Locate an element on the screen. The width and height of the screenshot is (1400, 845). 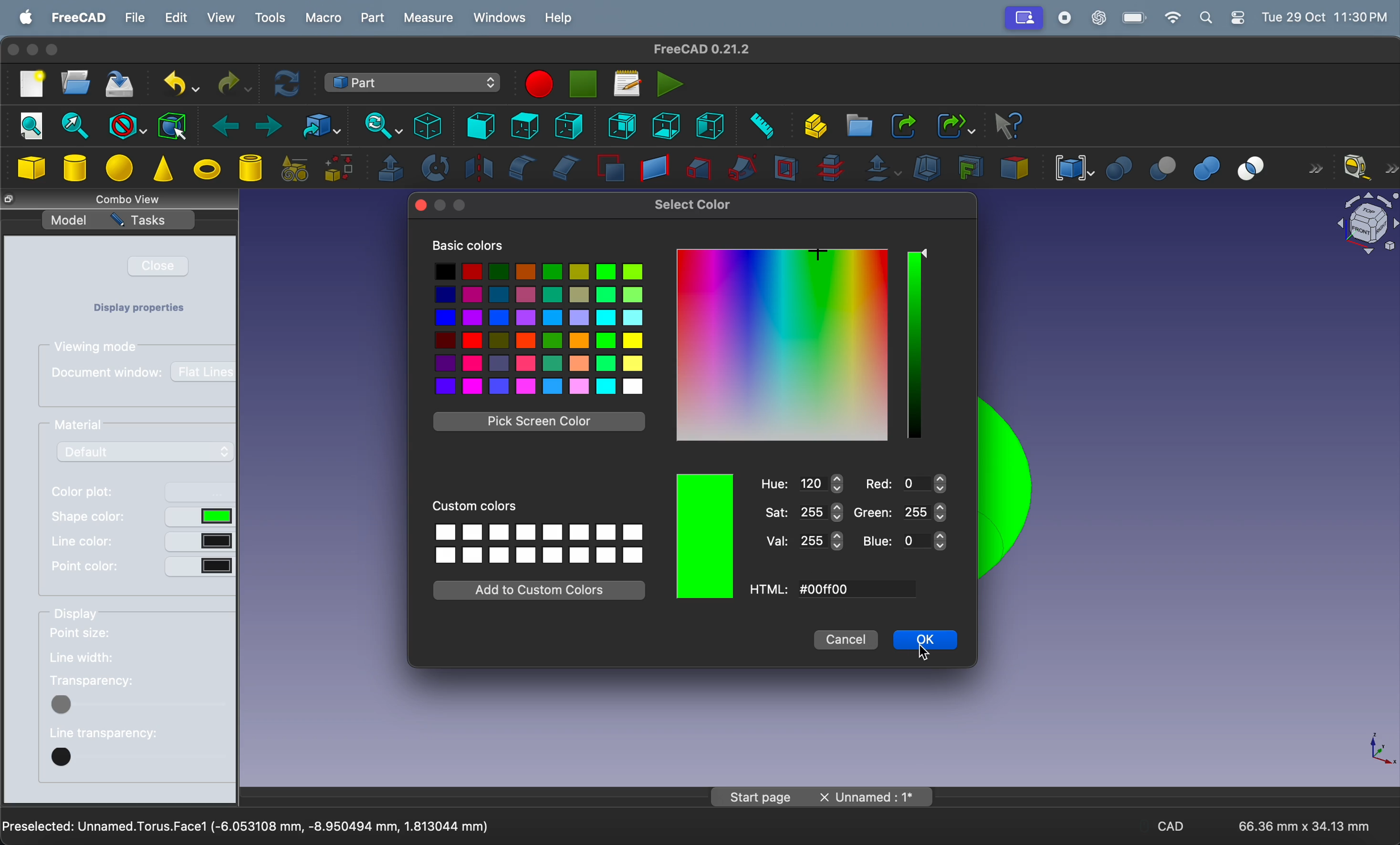
cube is located at coordinates (34, 168).